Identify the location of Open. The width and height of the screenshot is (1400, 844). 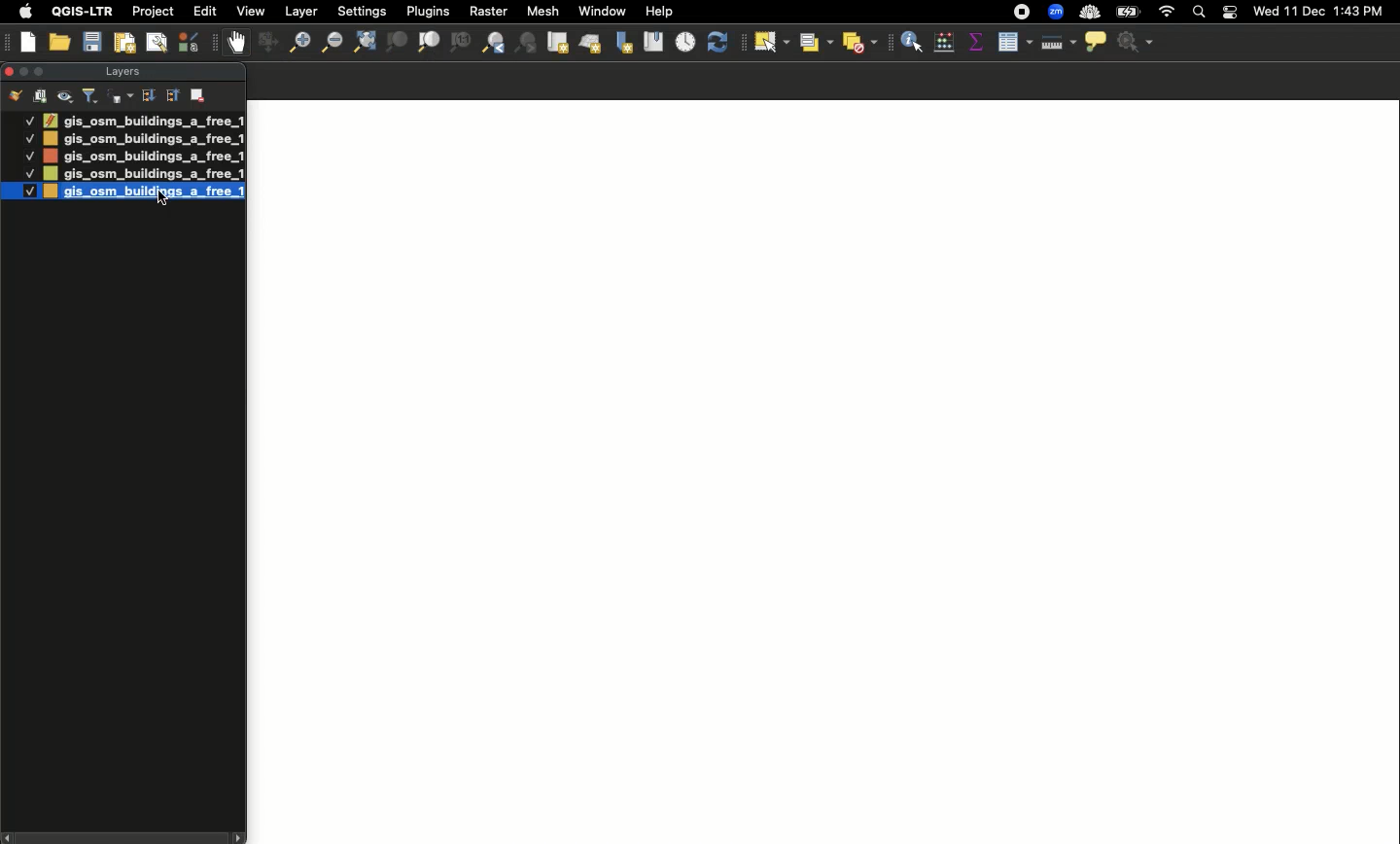
(62, 43).